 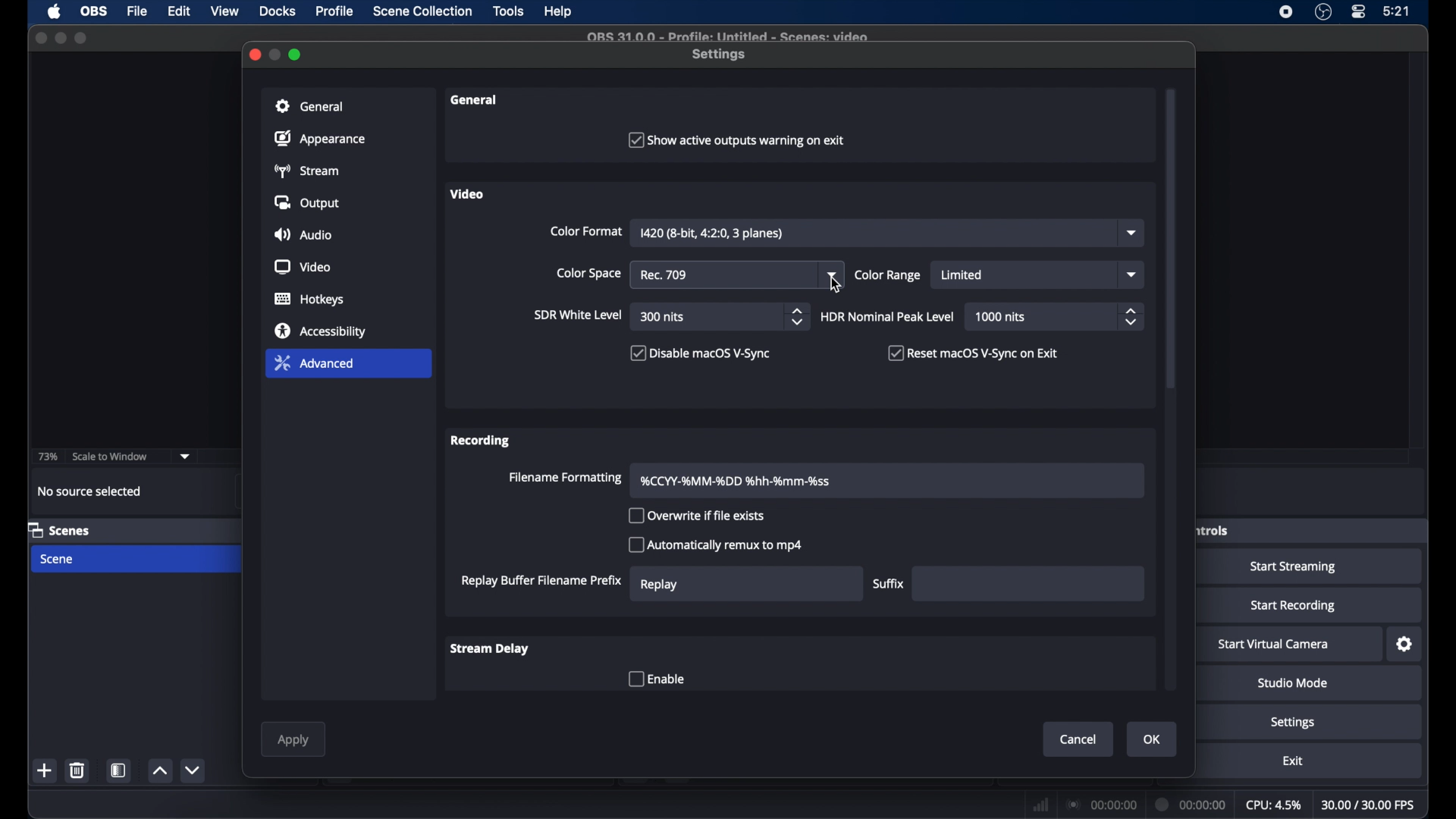 I want to click on output, so click(x=306, y=203).